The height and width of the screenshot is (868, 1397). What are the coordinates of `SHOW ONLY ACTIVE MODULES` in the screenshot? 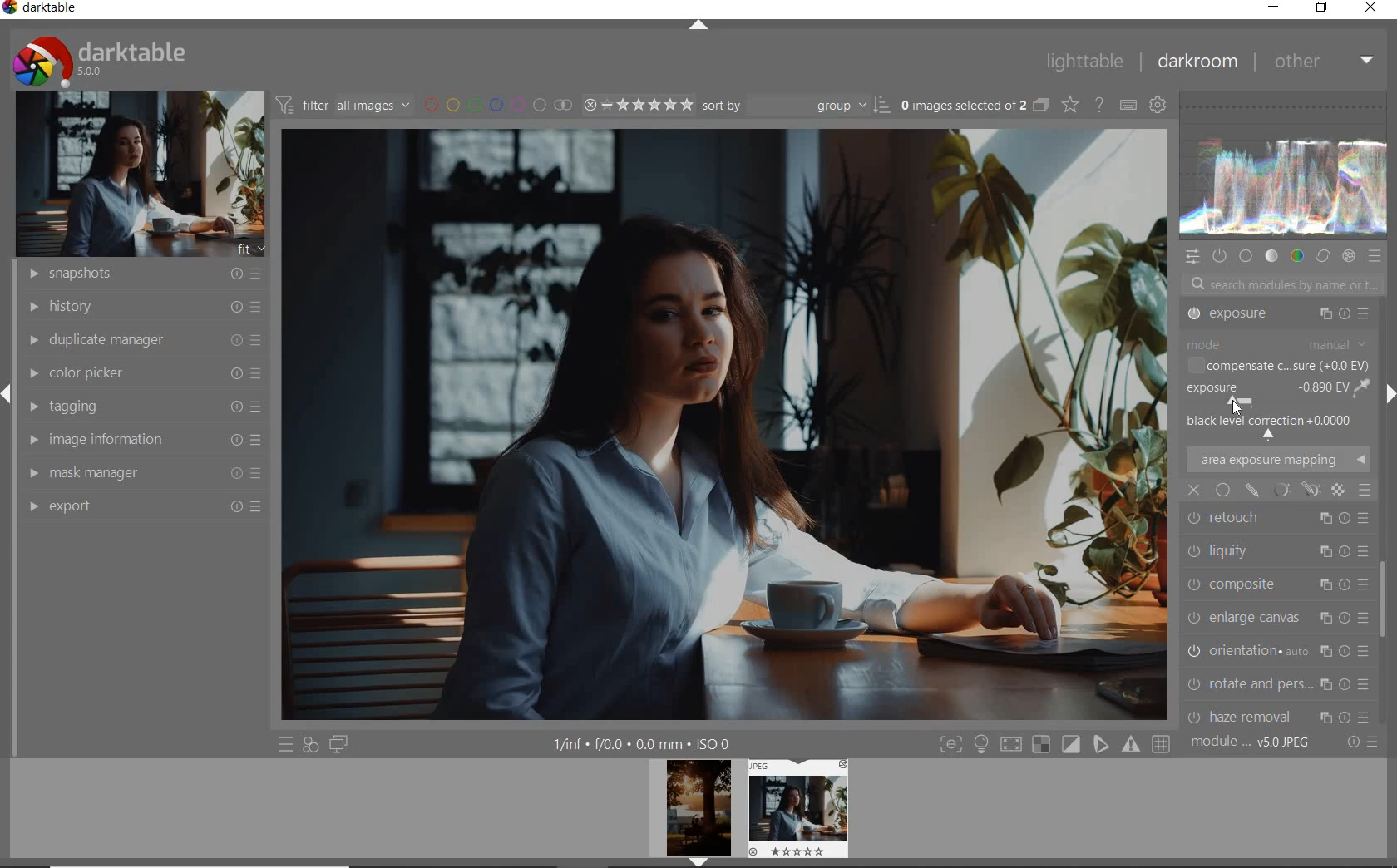 It's located at (1219, 257).